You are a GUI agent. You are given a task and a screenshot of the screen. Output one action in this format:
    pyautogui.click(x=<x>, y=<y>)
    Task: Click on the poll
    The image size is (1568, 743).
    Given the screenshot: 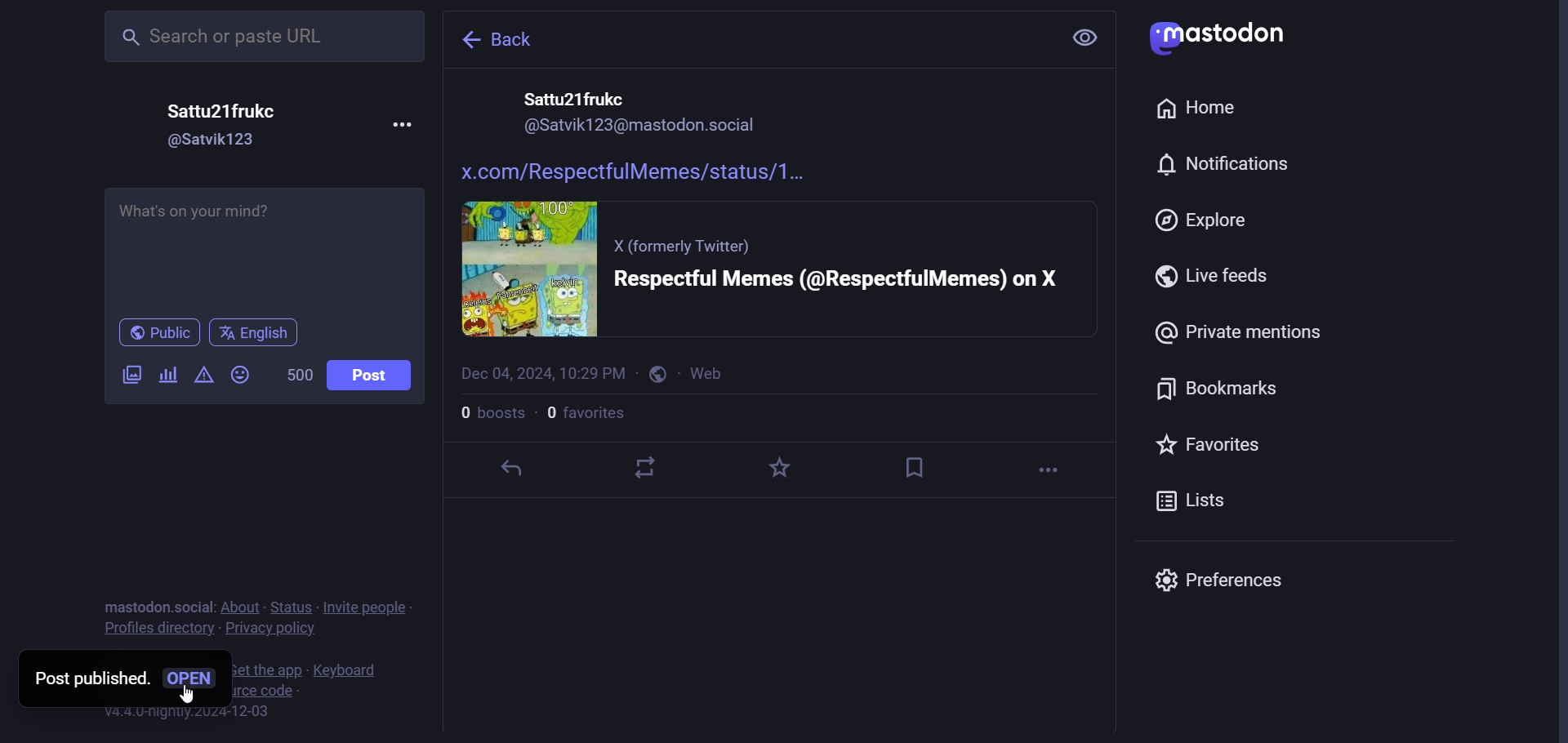 What is the action you would take?
    pyautogui.click(x=167, y=376)
    